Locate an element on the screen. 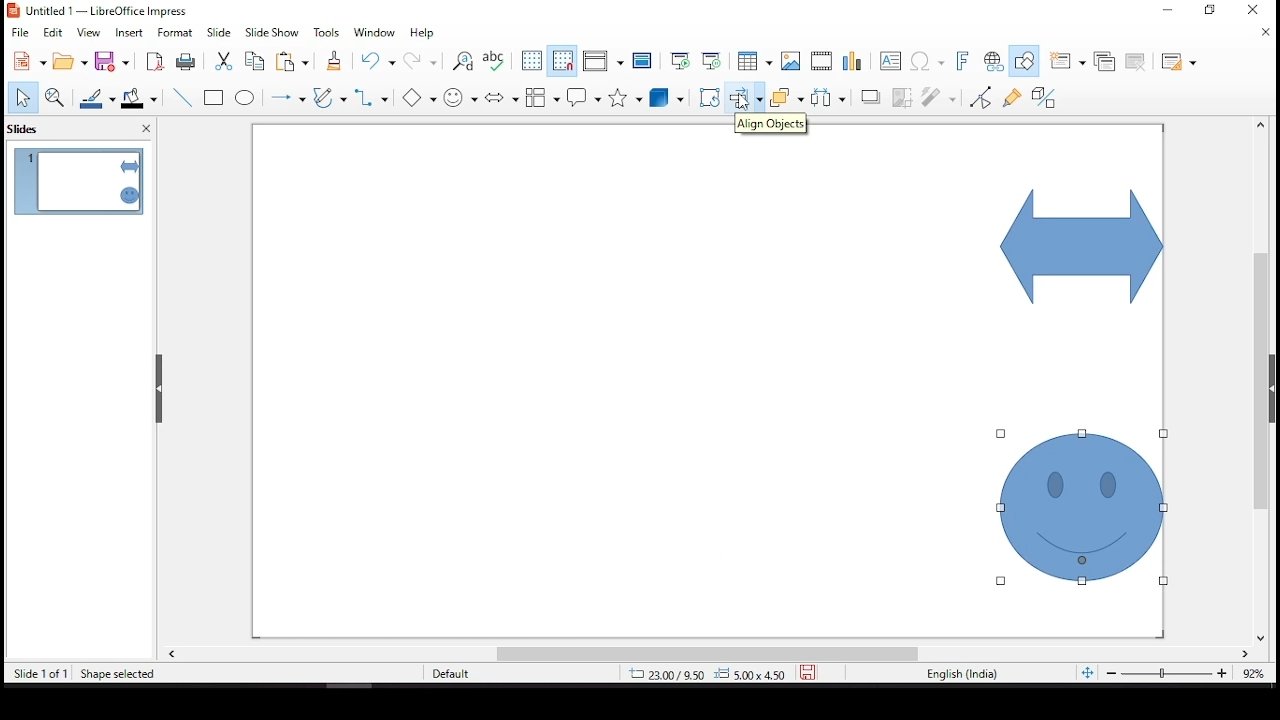  shape selected is located at coordinates (113, 673).